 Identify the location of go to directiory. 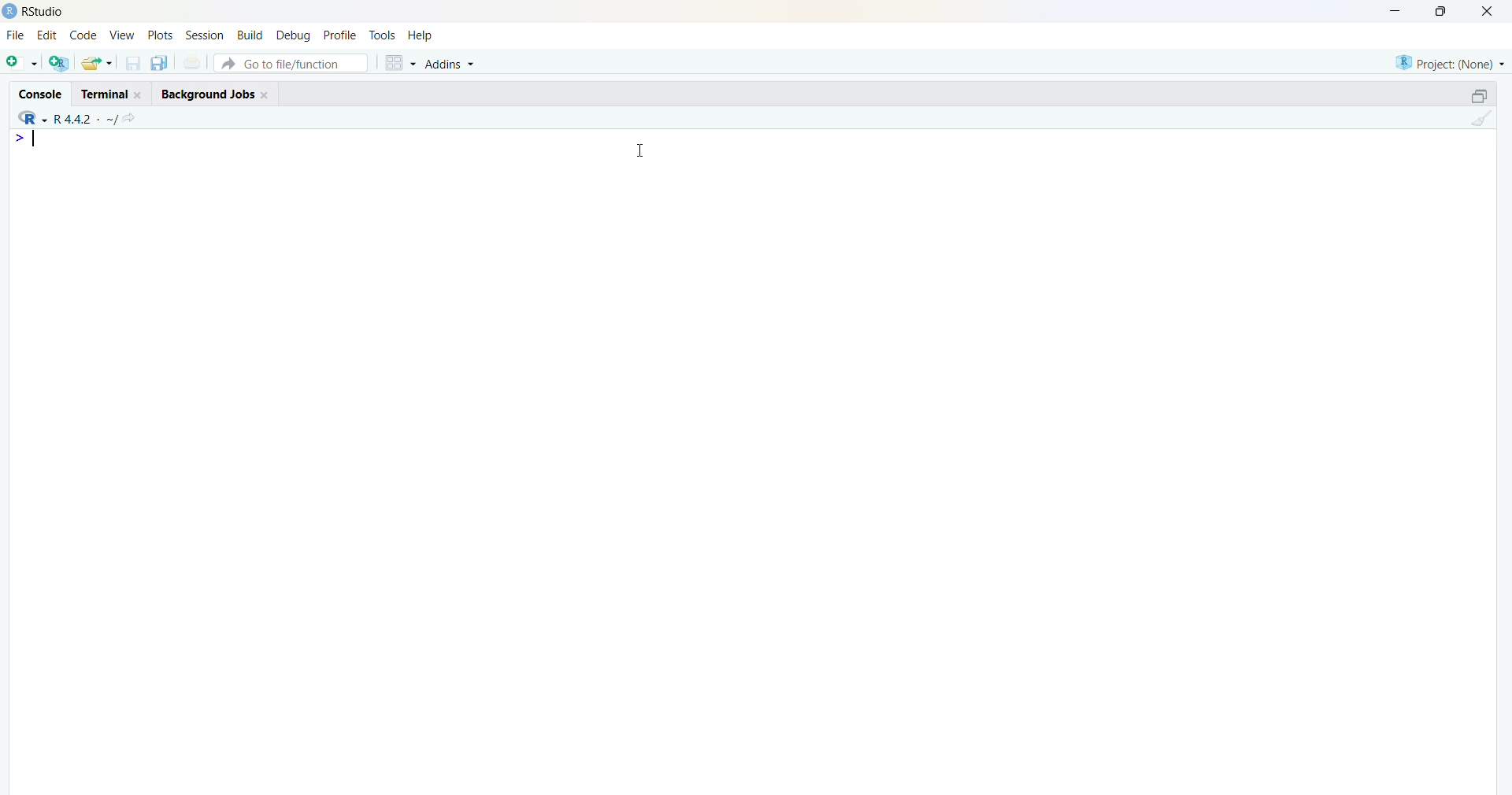
(132, 117).